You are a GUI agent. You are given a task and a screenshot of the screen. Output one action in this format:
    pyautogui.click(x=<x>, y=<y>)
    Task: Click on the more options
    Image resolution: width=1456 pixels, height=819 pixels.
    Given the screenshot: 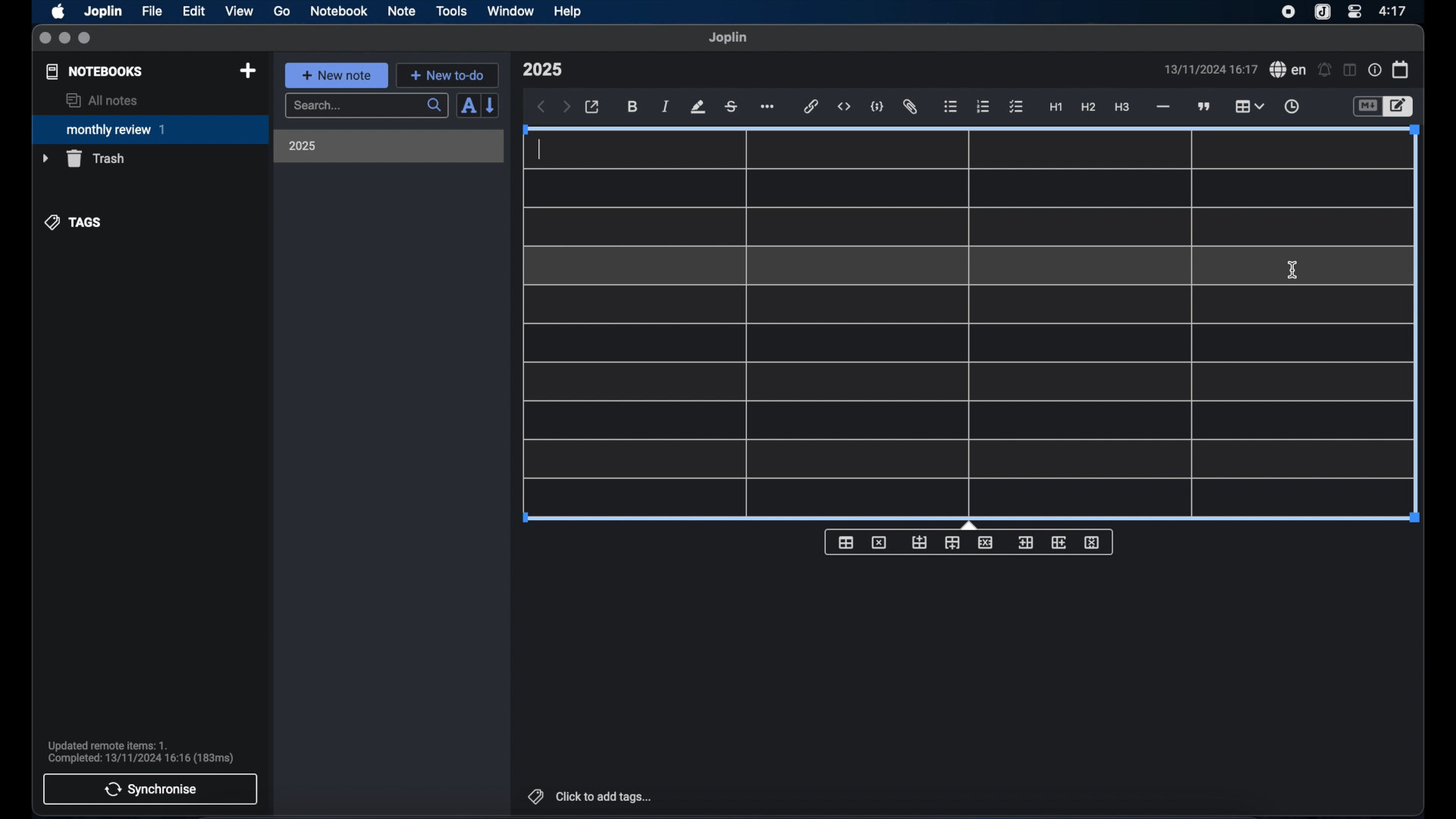 What is the action you would take?
    pyautogui.click(x=769, y=108)
    